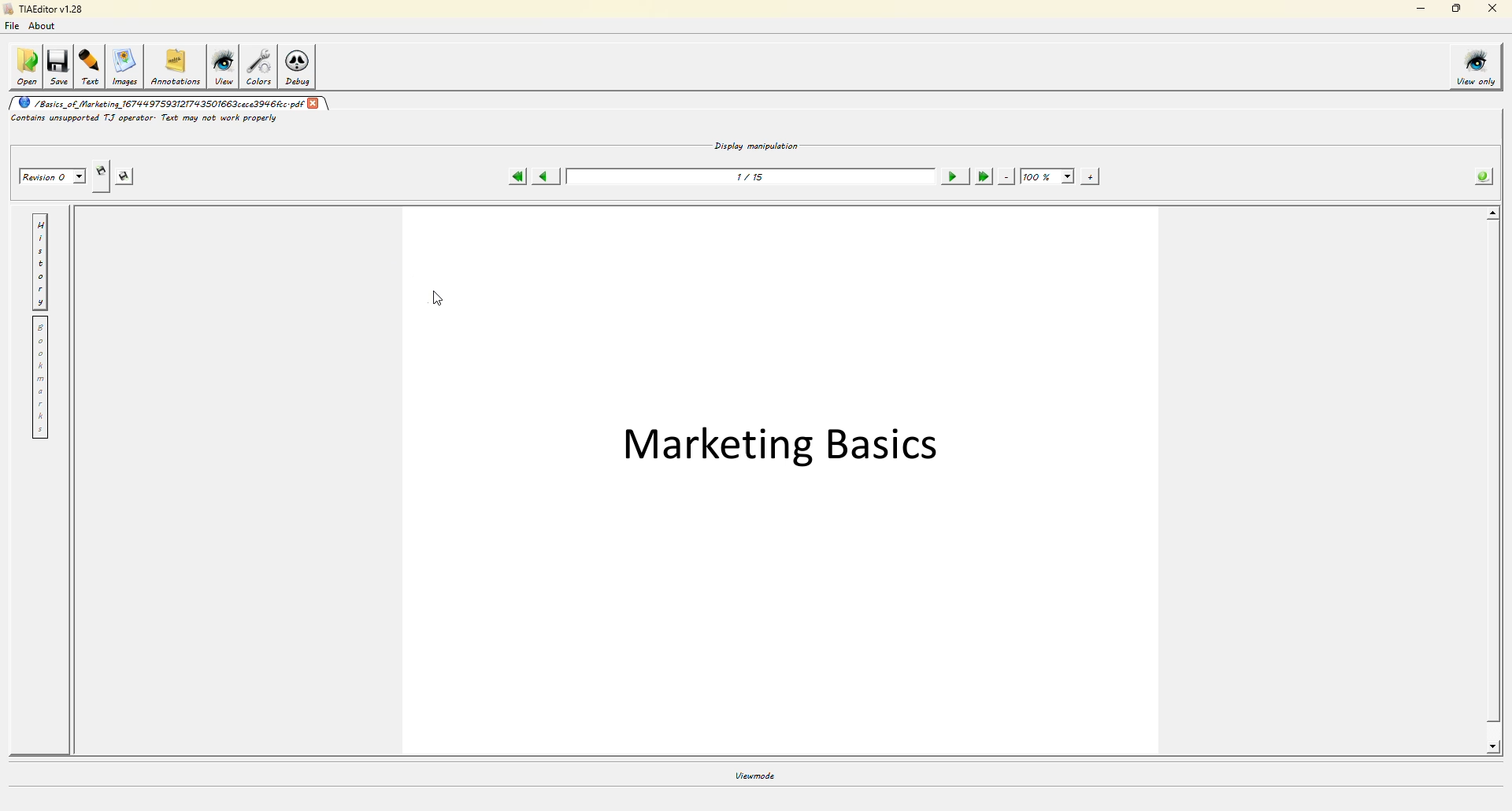  I want to click on open, so click(25, 68).